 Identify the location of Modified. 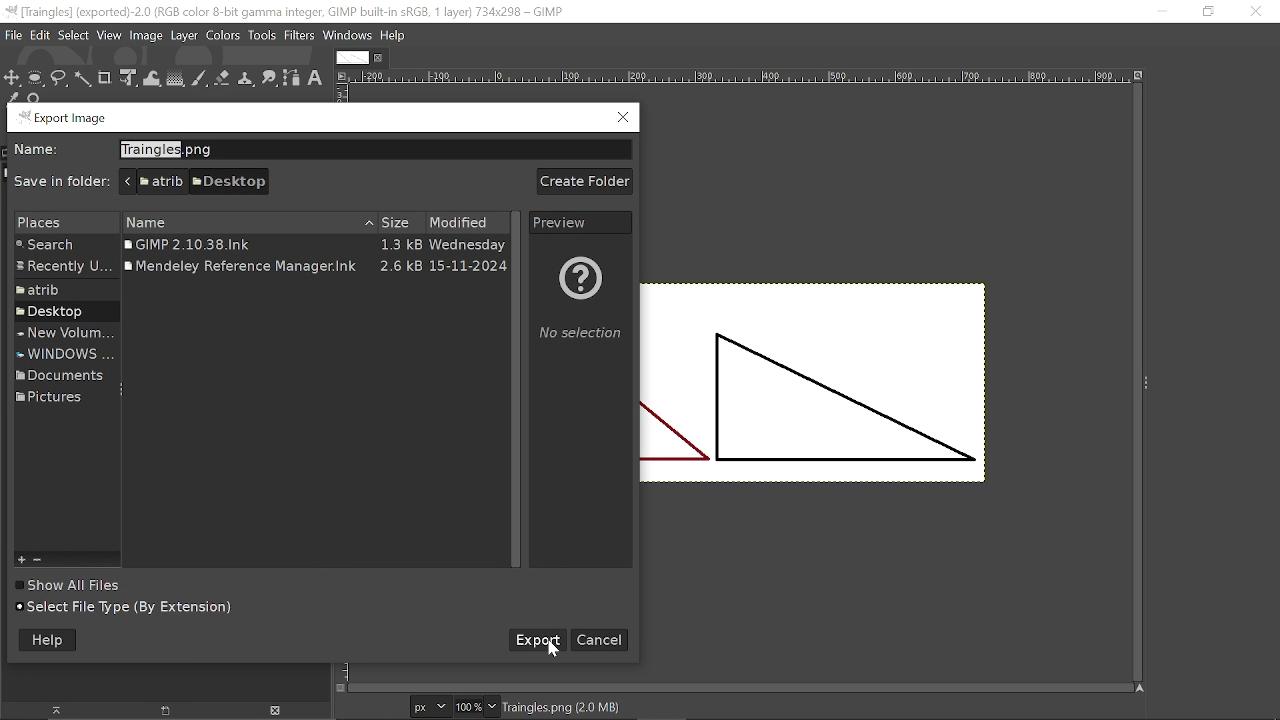
(468, 223).